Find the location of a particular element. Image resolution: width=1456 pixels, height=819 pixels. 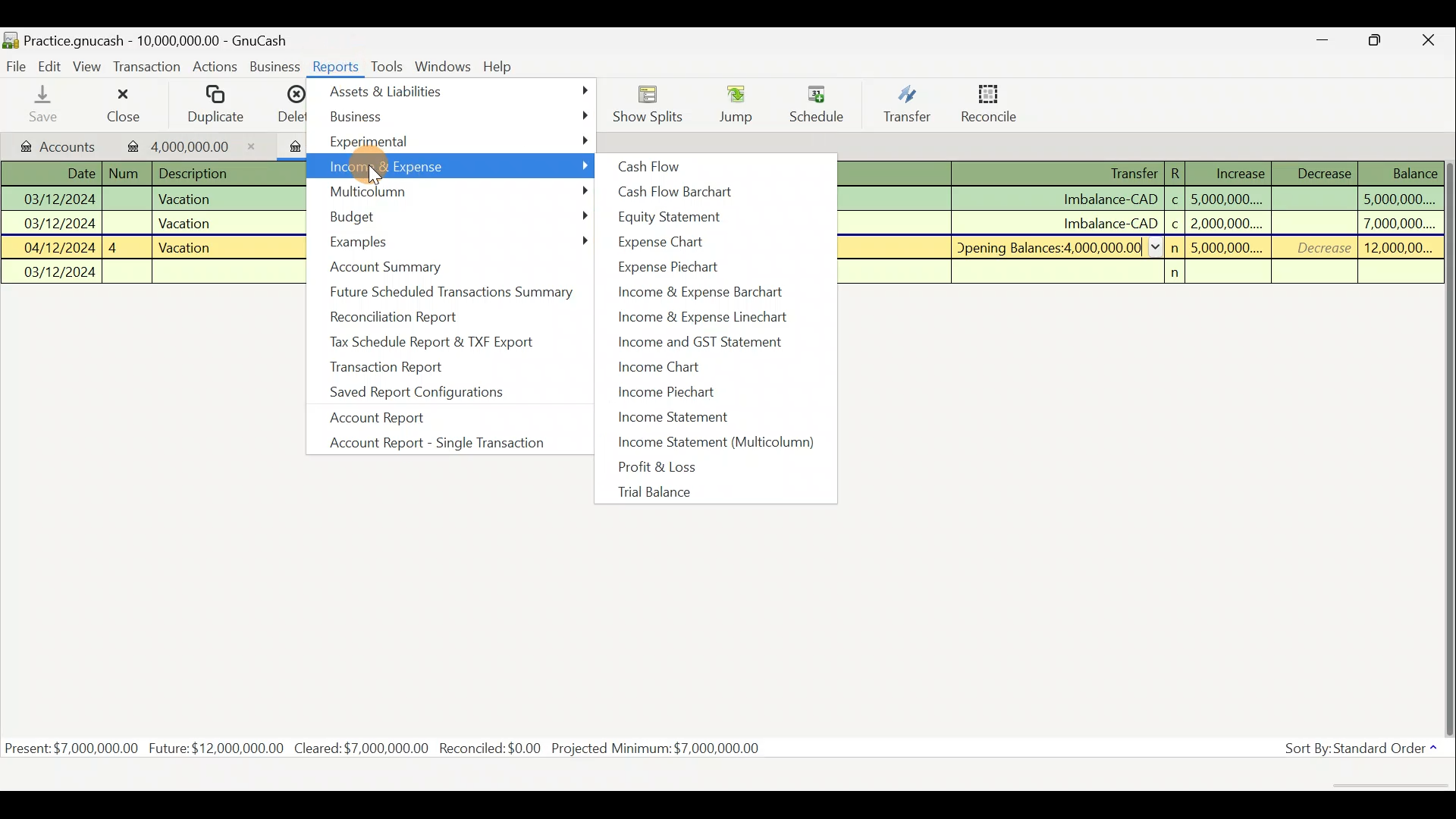

Account report is located at coordinates (381, 419).